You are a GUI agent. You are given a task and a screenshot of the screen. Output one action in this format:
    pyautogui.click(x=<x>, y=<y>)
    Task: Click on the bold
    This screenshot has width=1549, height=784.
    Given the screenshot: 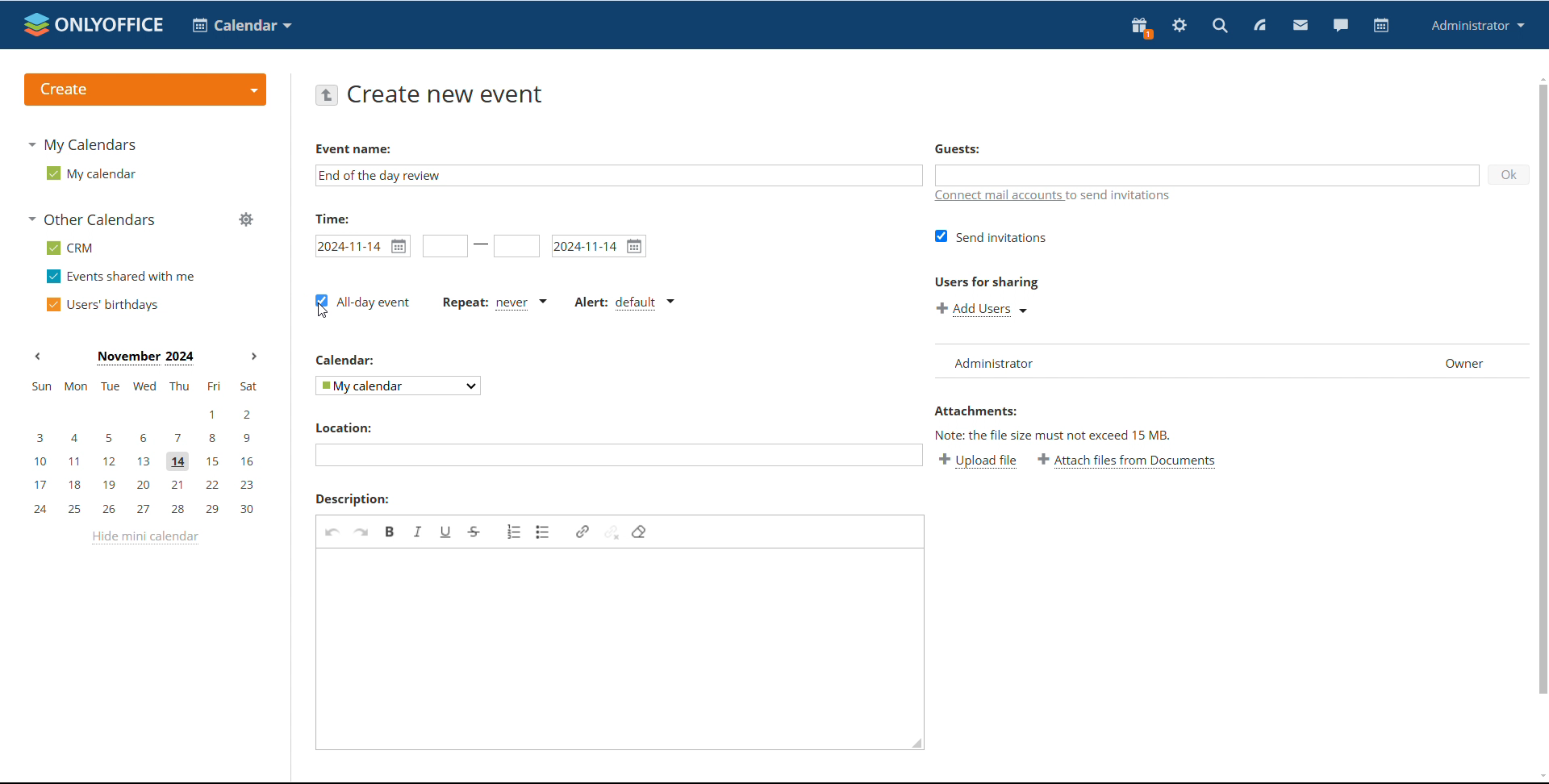 What is the action you would take?
    pyautogui.click(x=390, y=531)
    